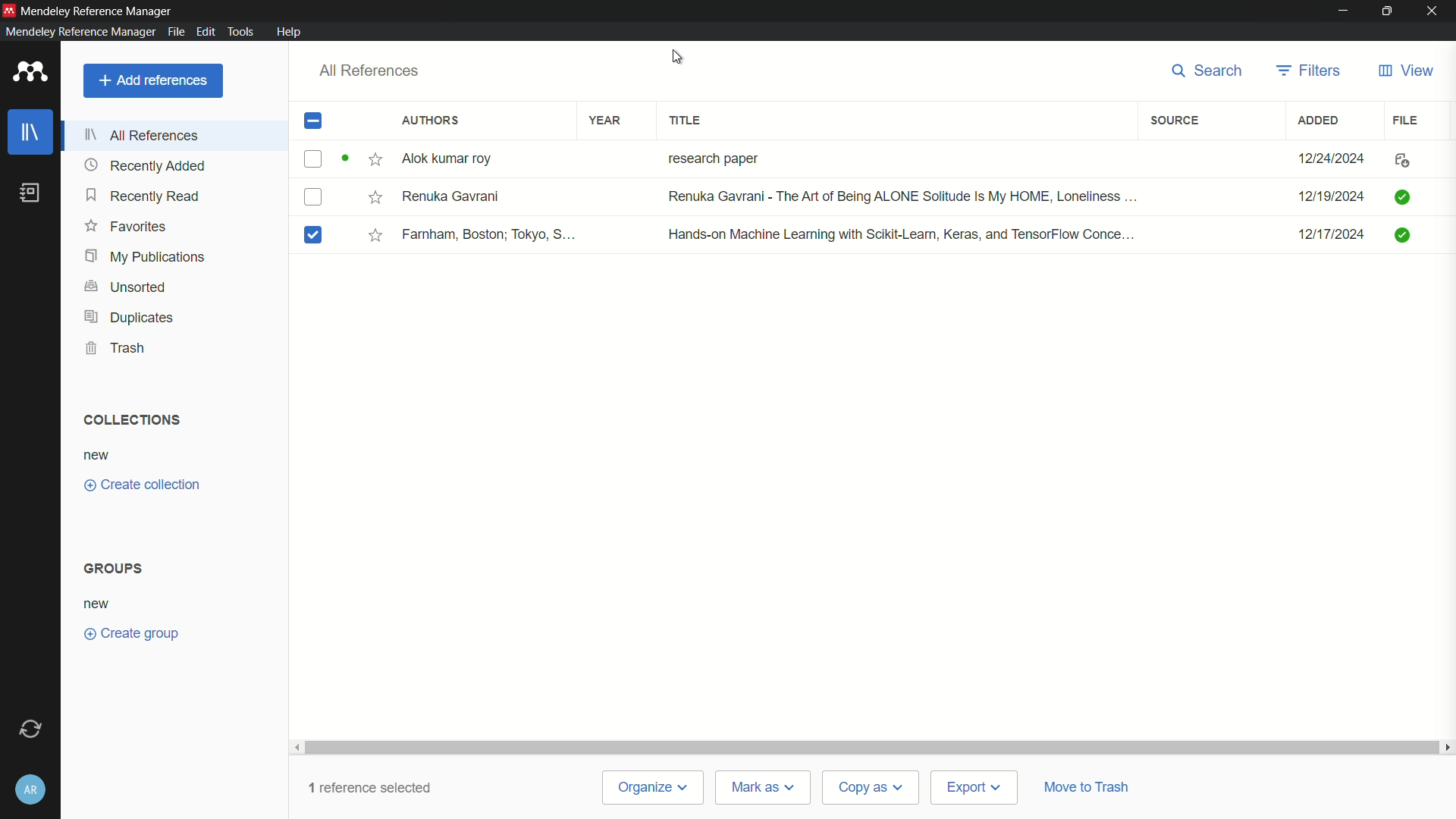  What do you see at coordinates (1331, 234) in the screenshot?
I see `12/17/2024` at bounding box center [1331, 234].